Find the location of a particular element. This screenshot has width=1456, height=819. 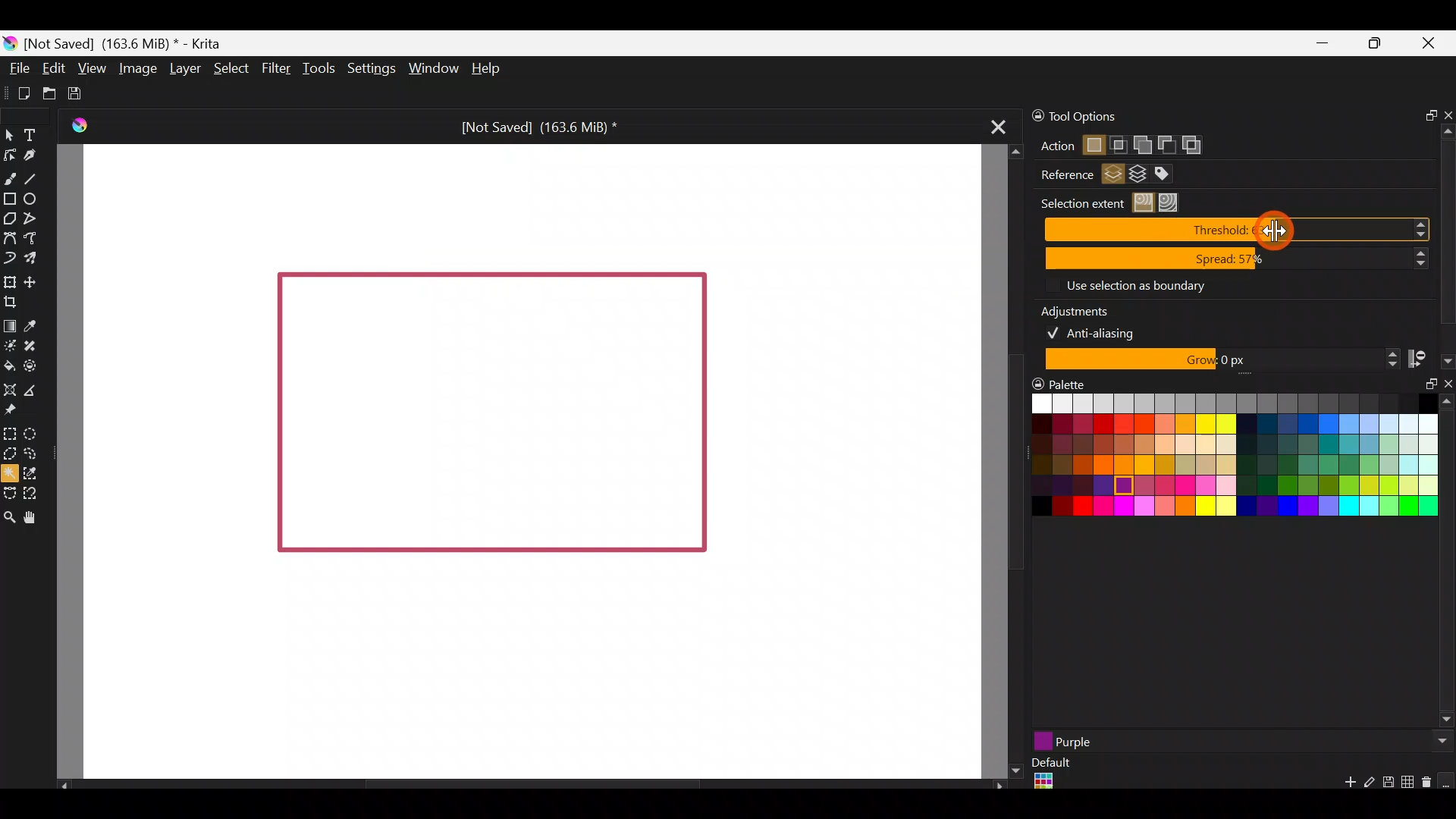

Zoom tool is located at coordinates (9, 516).